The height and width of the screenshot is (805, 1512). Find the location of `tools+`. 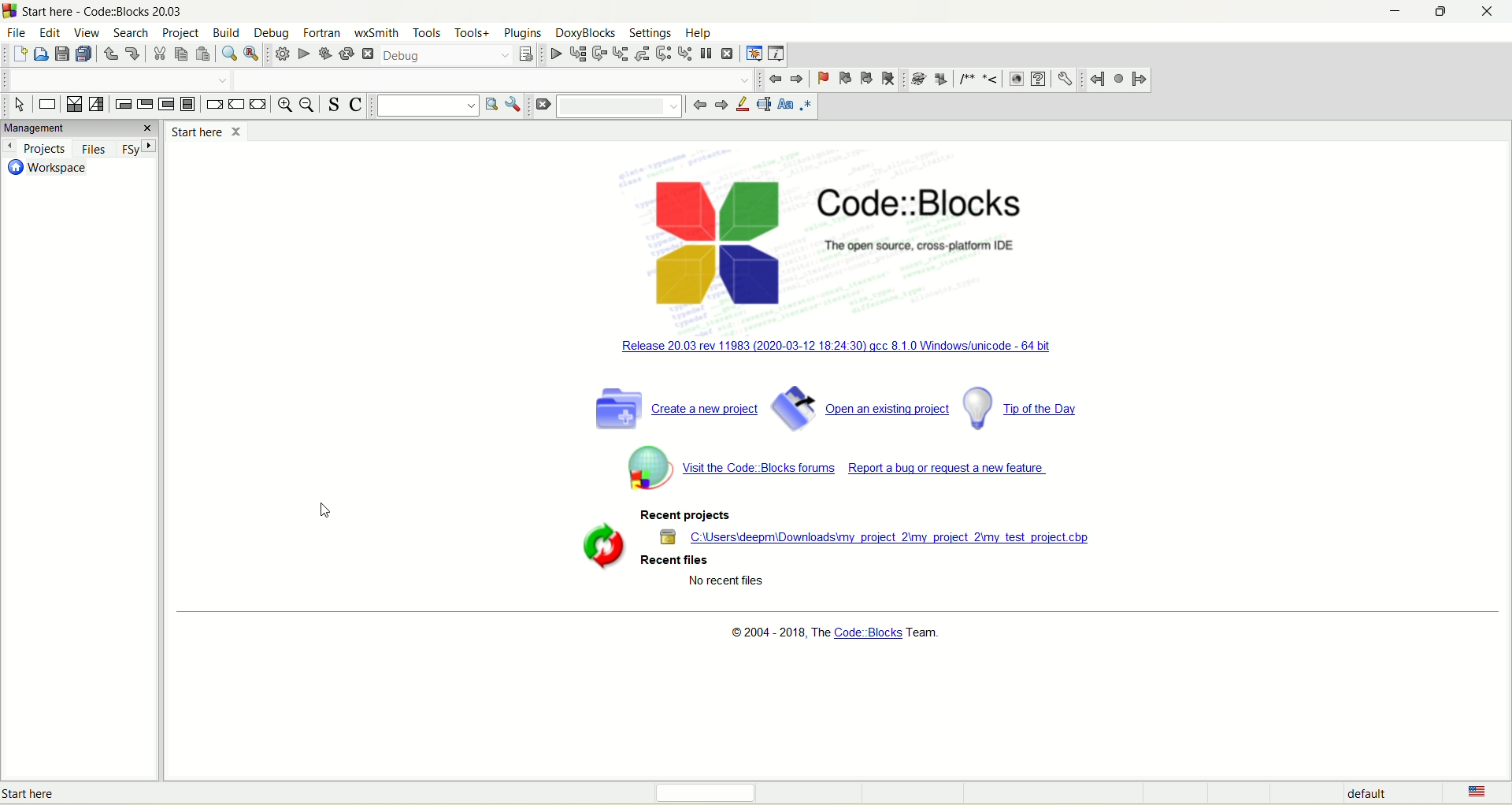

tools+ is located at coordinates (475, 34).